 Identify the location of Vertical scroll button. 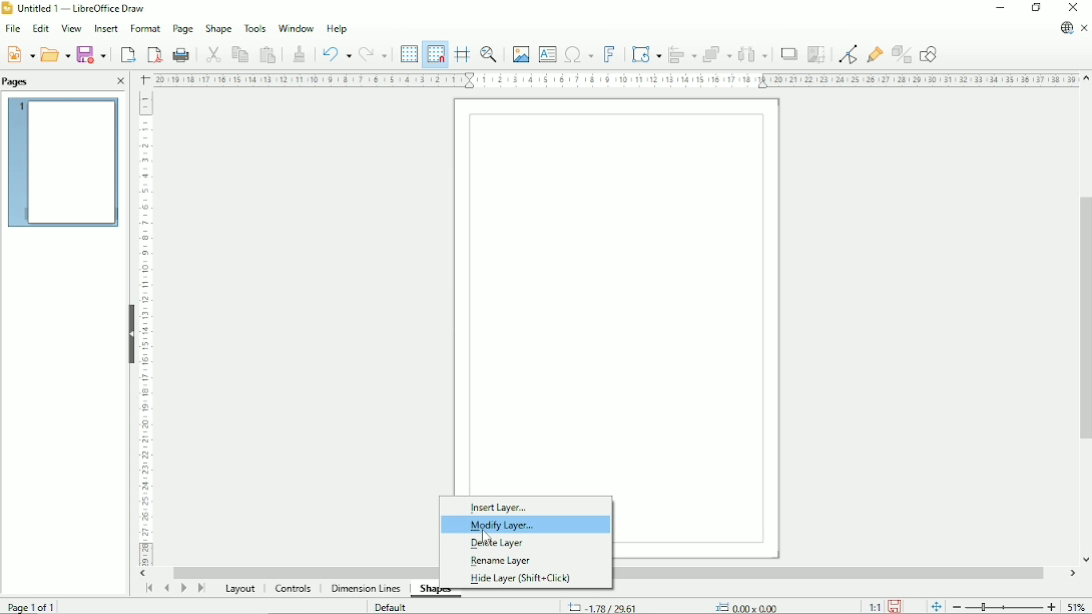
(1084, 559).